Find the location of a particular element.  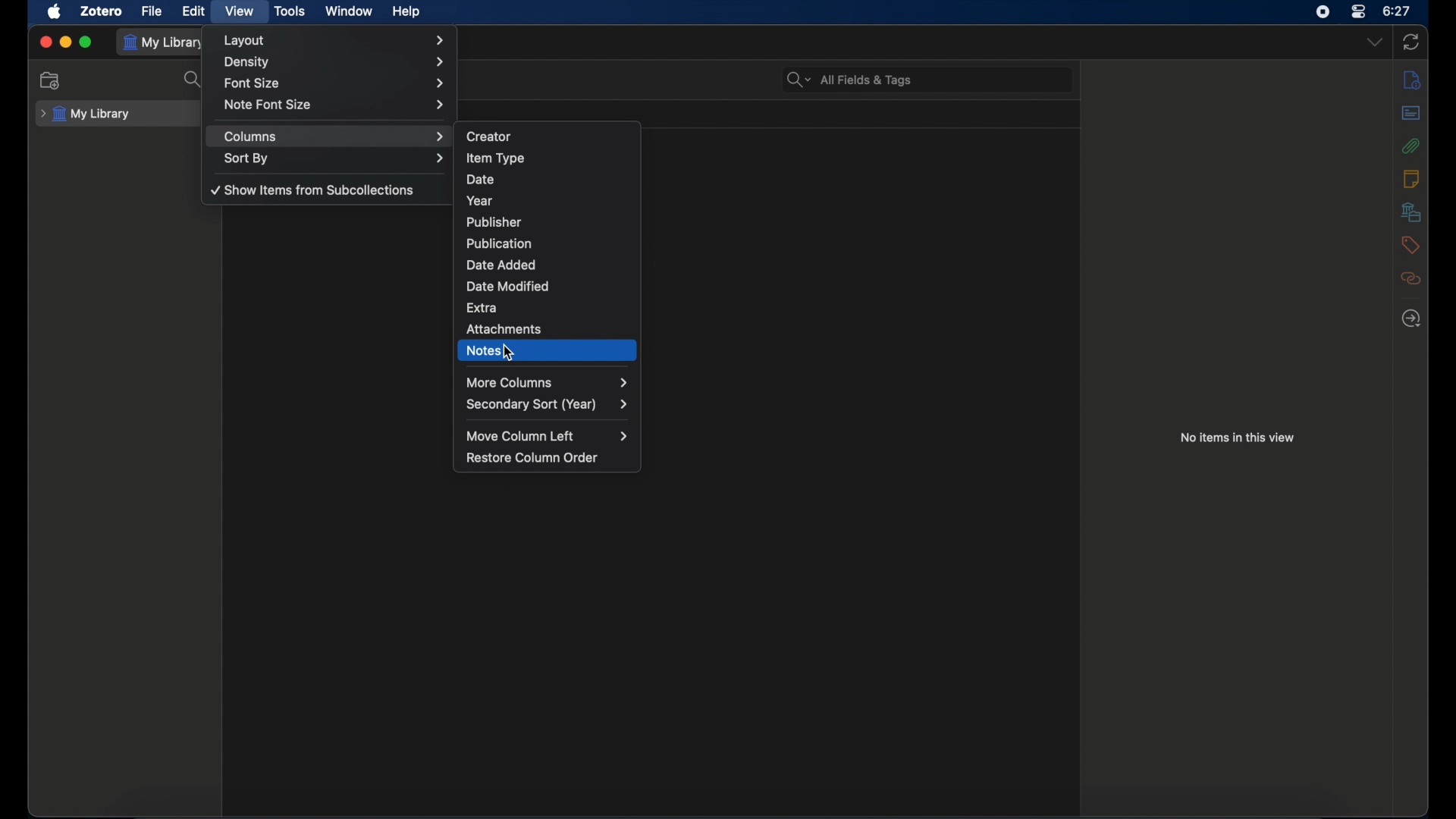

tools is located at coordinates (290, 11).